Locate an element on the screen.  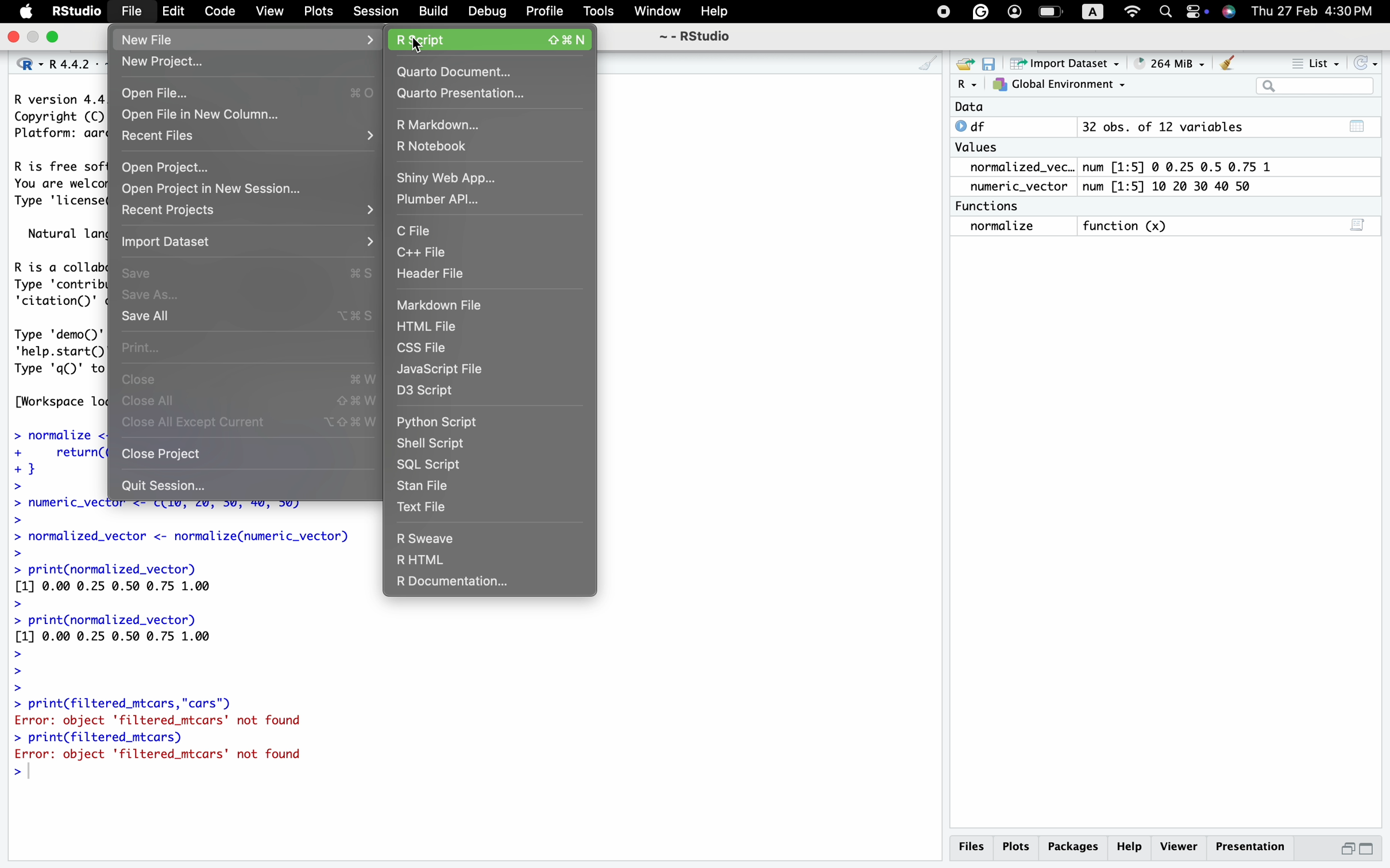
quarto presentation is located at coordinates (487, 95).